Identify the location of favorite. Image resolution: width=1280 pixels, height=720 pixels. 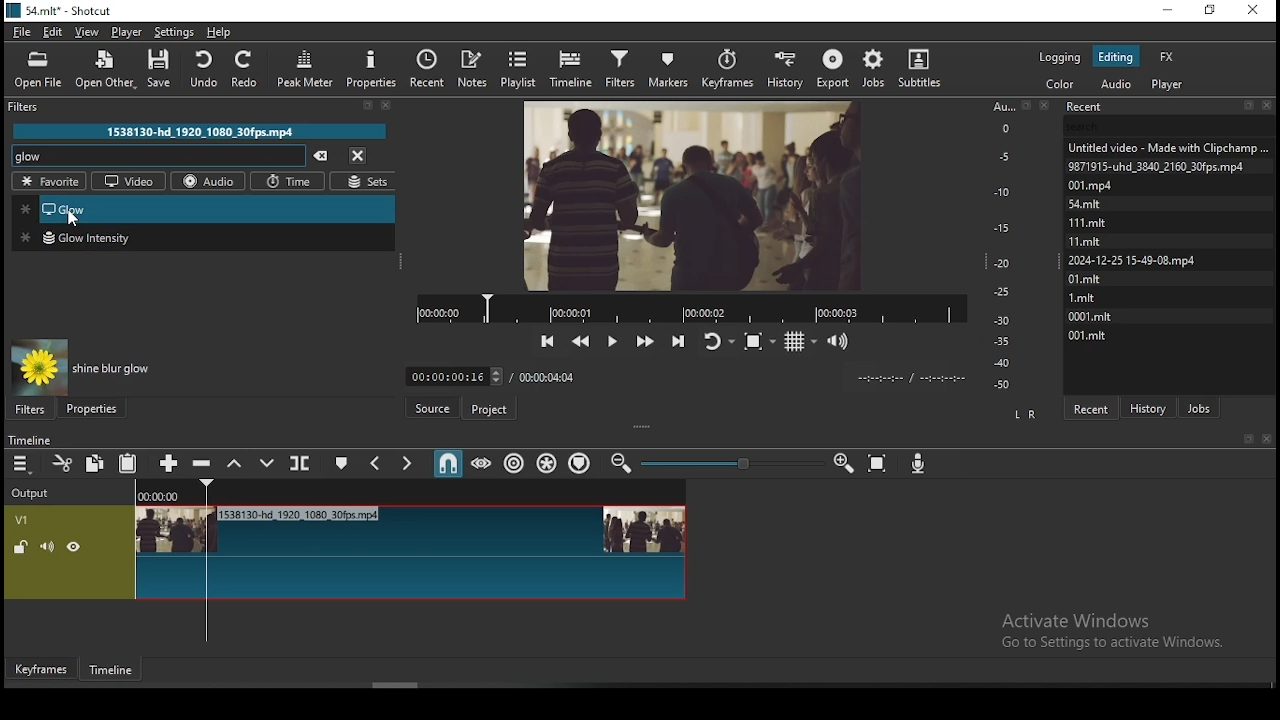
(49, 181).